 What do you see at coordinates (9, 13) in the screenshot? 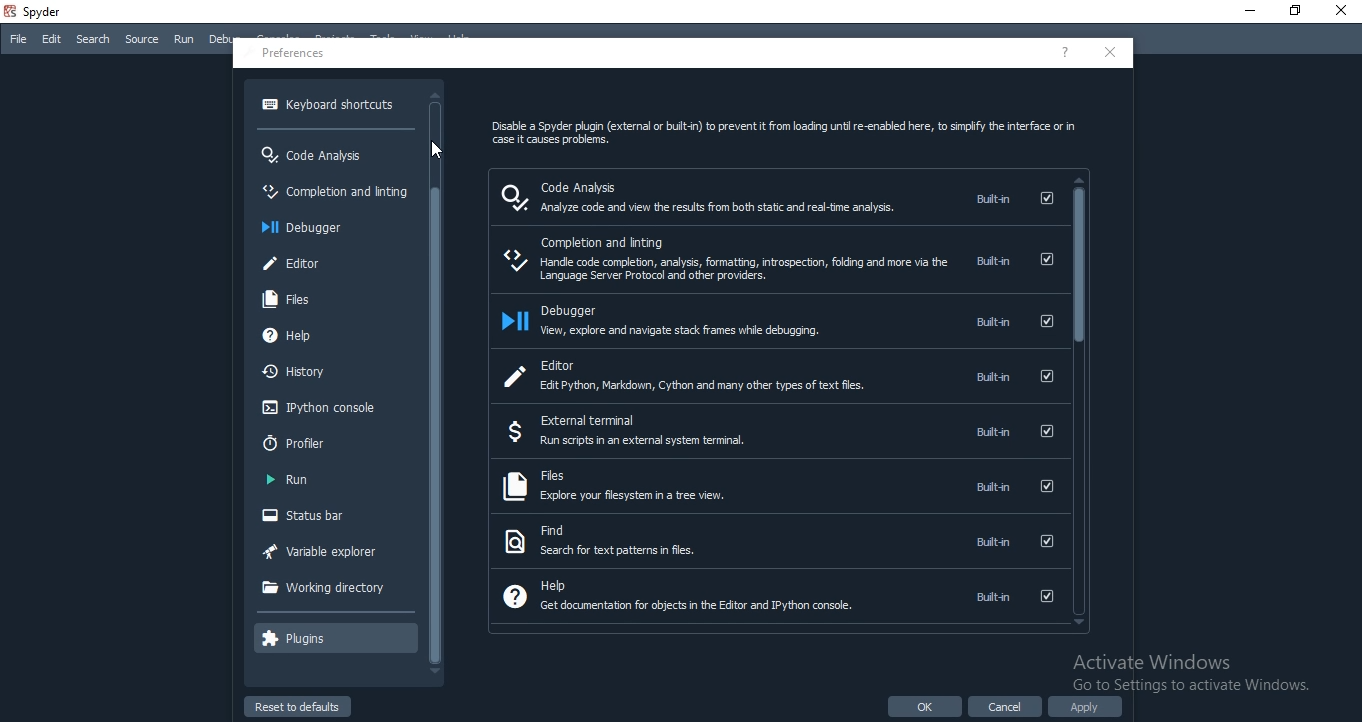
I see `spyder logo` at bounding box center [9, 13].